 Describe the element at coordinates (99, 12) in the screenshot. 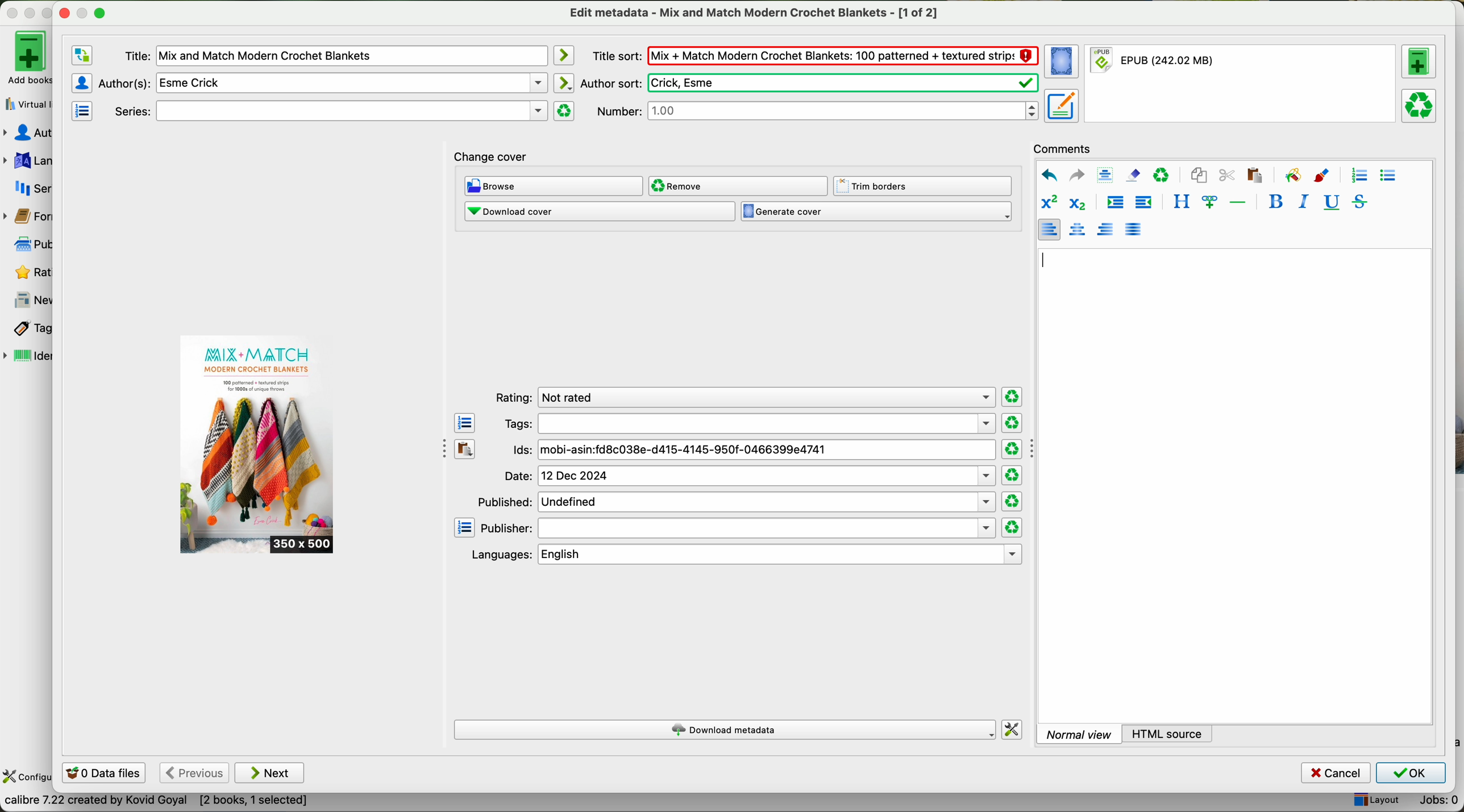

I see `maximize windows` at that location.